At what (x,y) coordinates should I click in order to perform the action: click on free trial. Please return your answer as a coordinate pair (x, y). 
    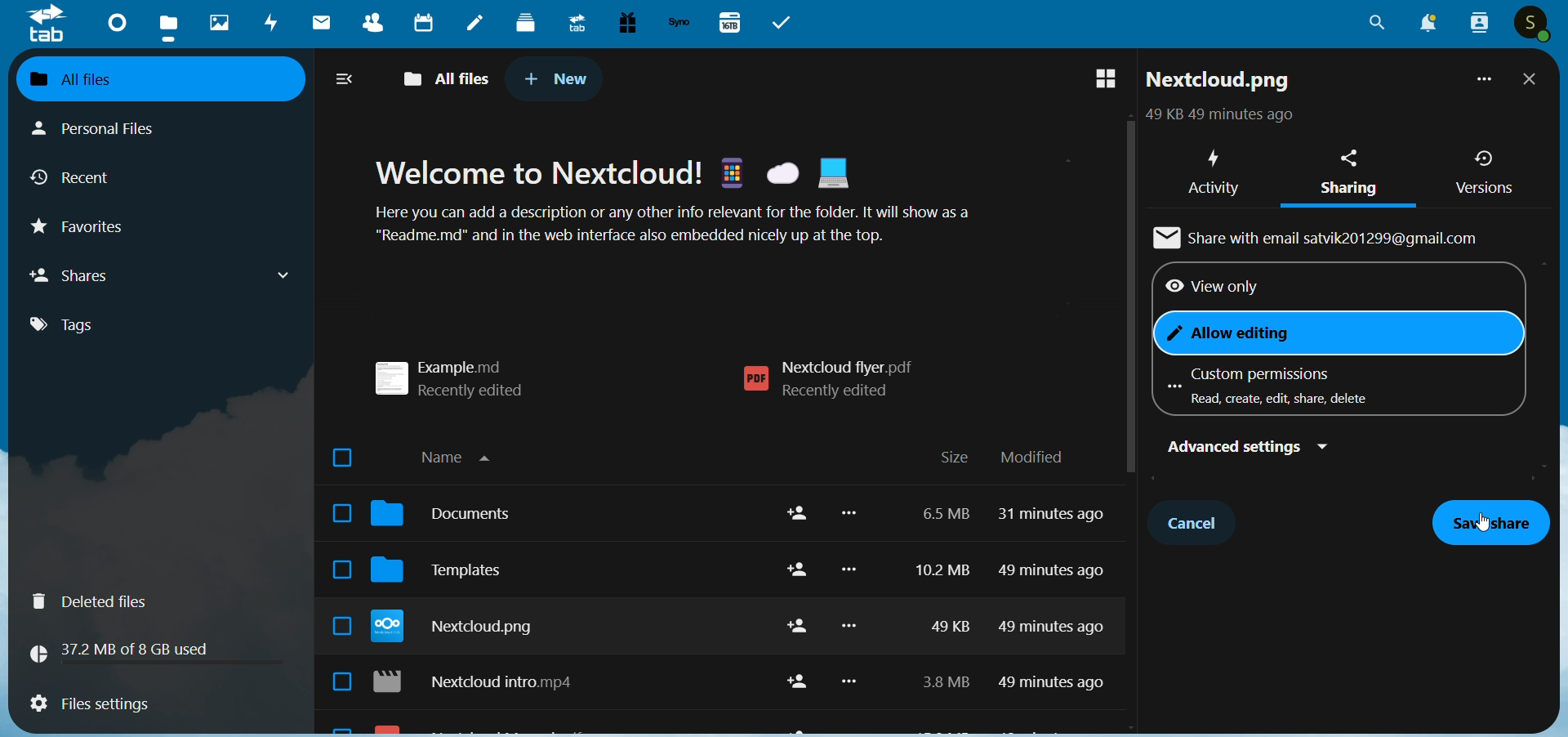
    Looking at the image, I should click on (622, 23).